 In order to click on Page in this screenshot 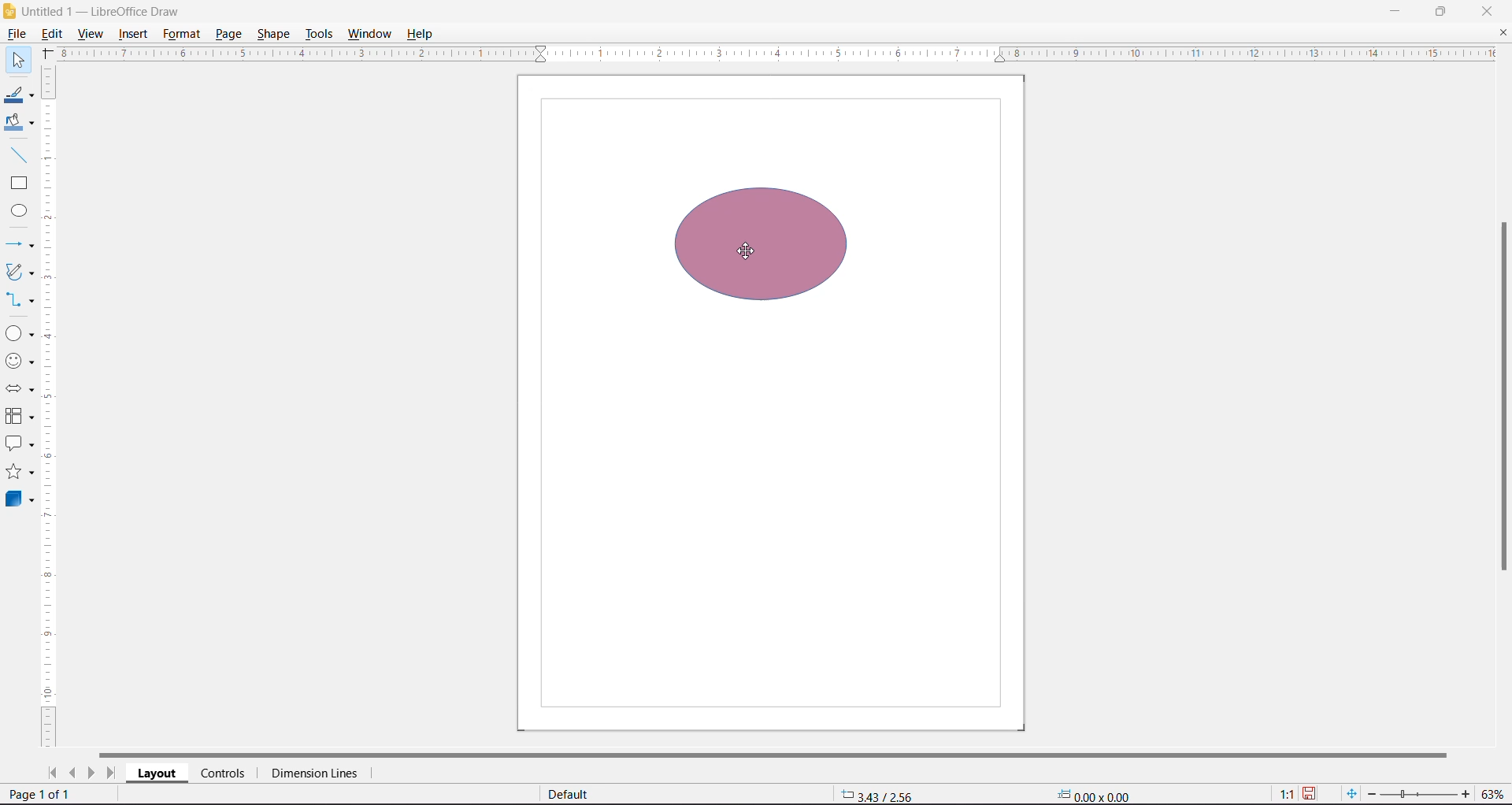, I will do `click(228, 35)`.